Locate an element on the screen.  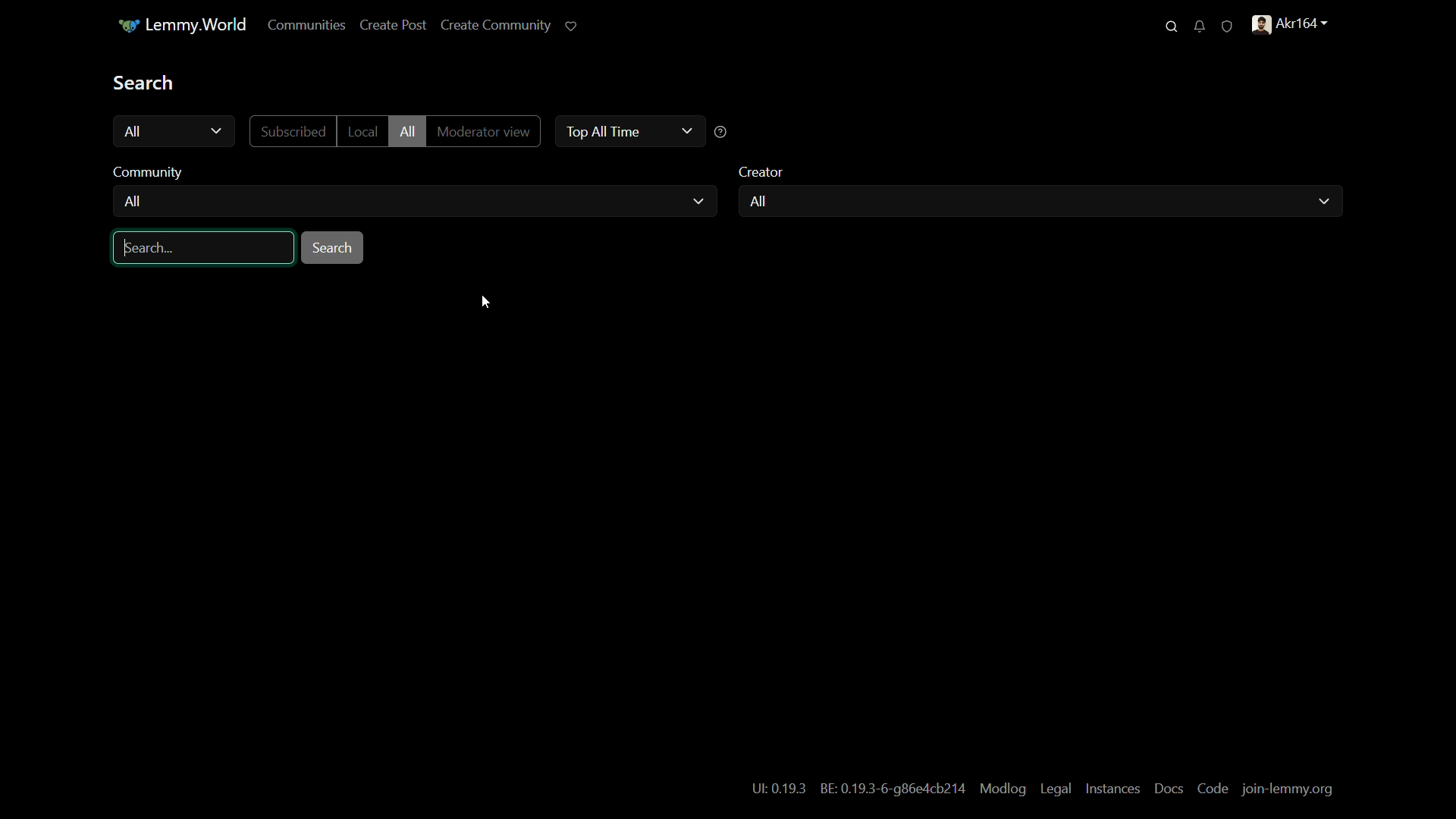
dropdown is located at coordinates (217, 132).